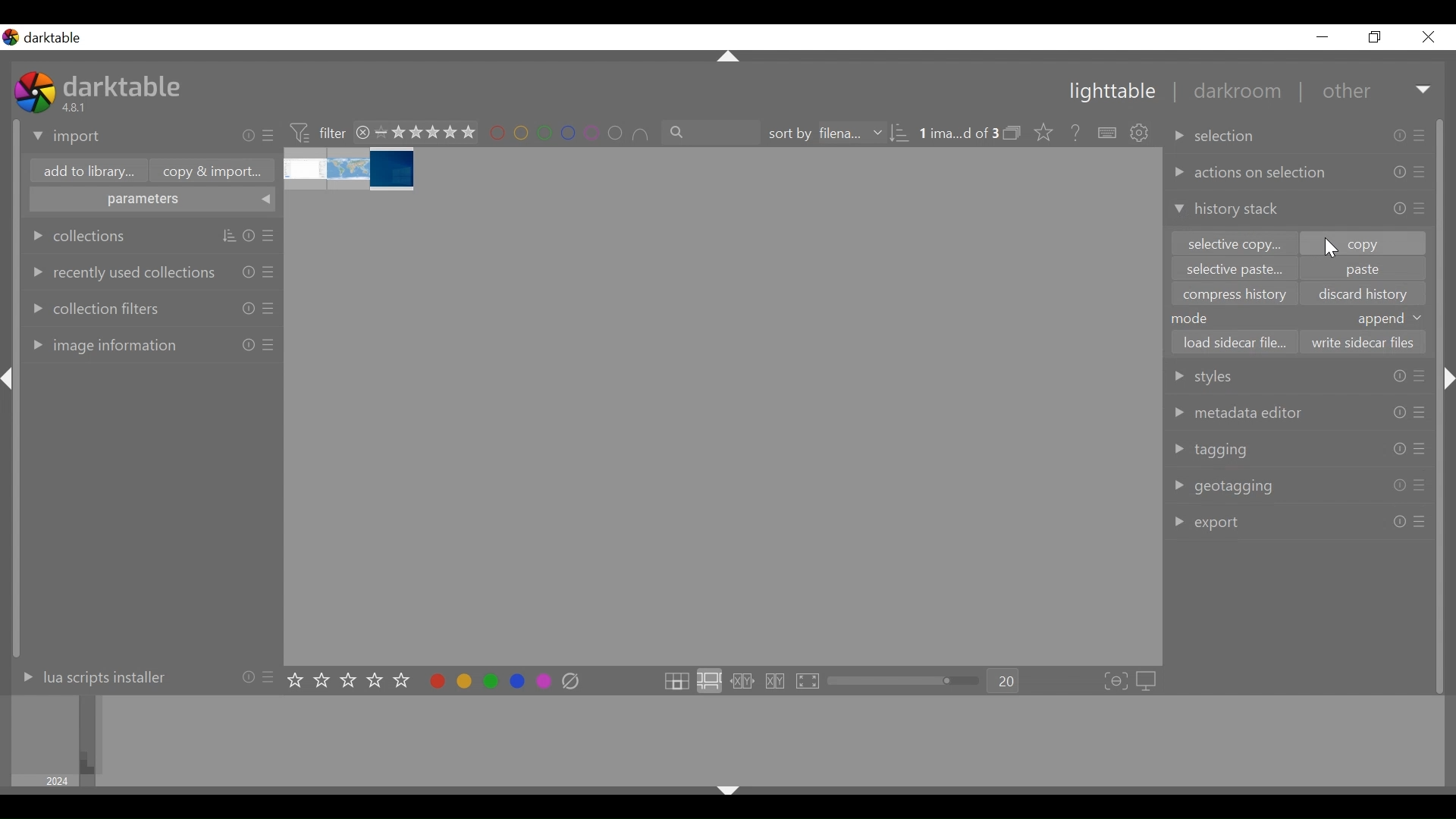  I want to click on presets, so click(271, 676).